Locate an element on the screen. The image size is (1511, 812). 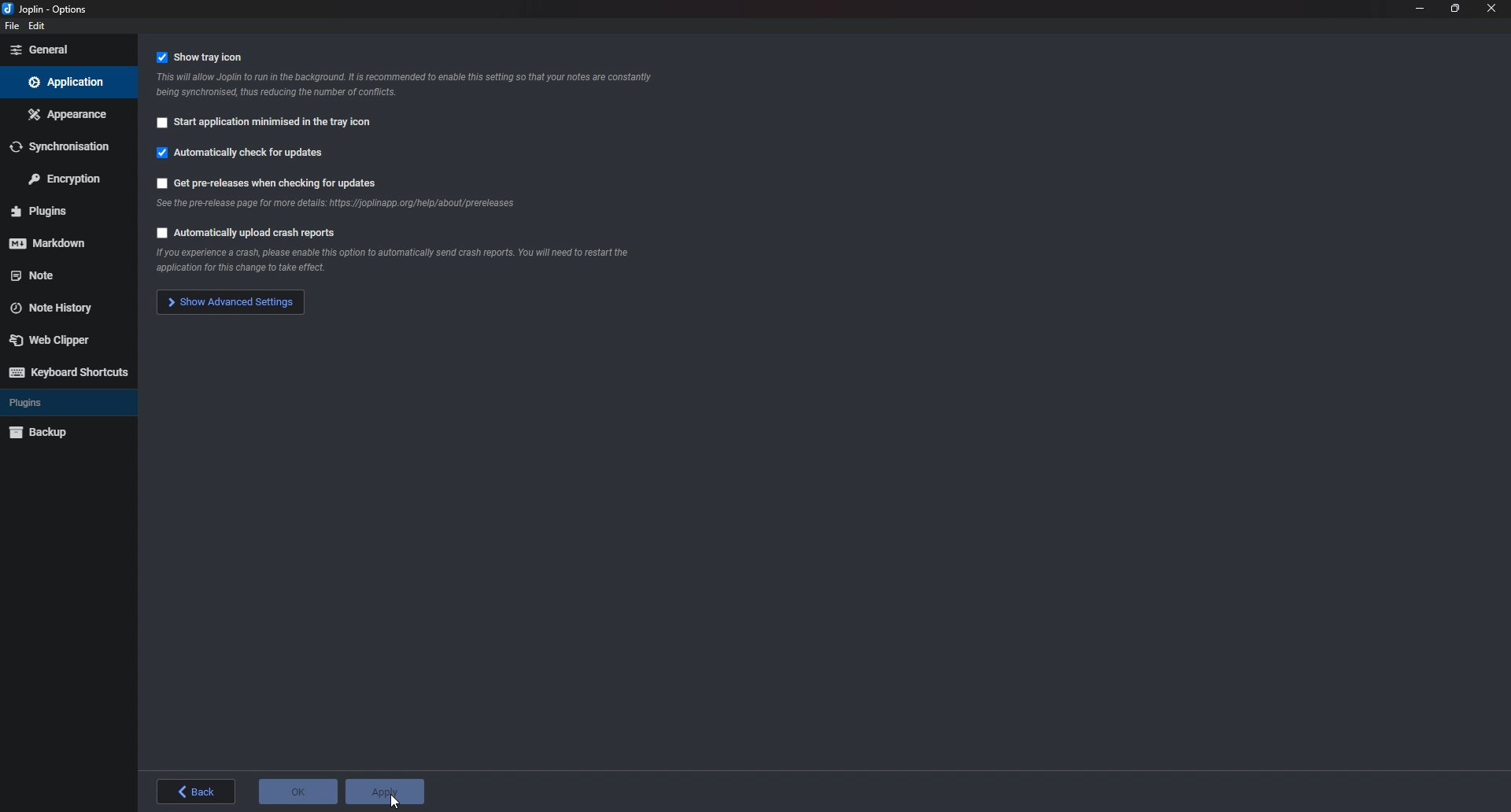
Info is located at coordinates (334, 208).